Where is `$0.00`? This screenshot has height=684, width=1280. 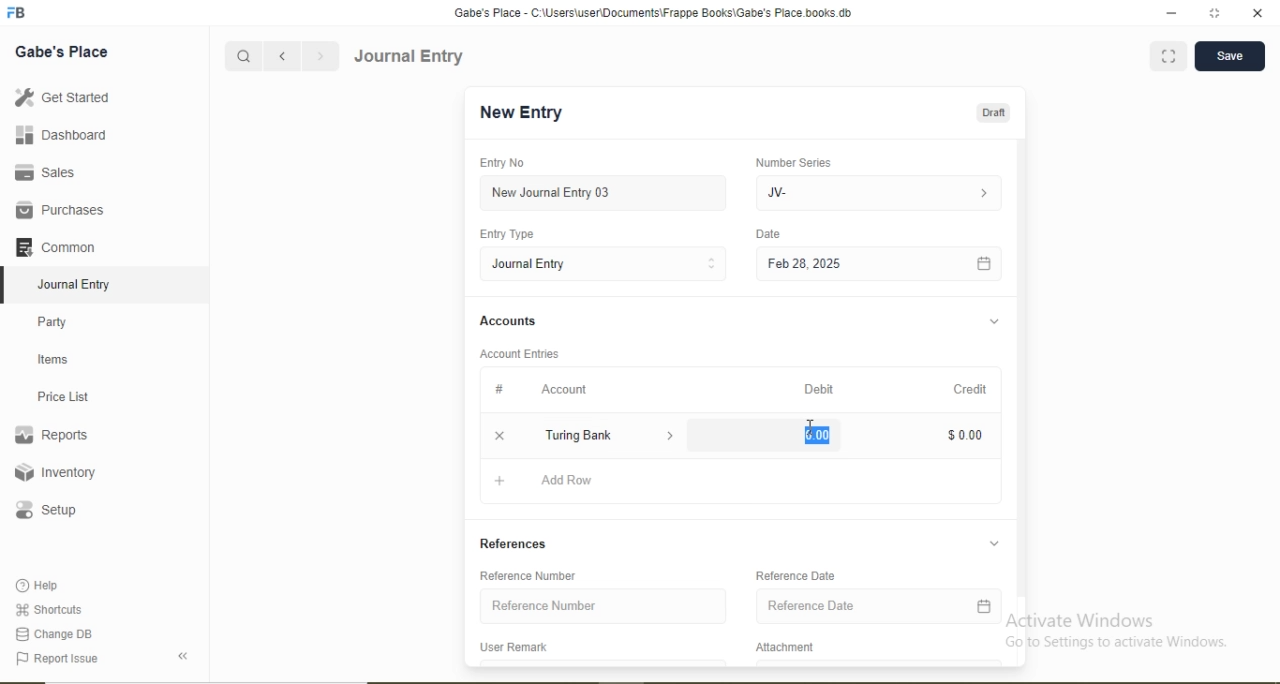 $0.00 is located at coordinates (965, 435).